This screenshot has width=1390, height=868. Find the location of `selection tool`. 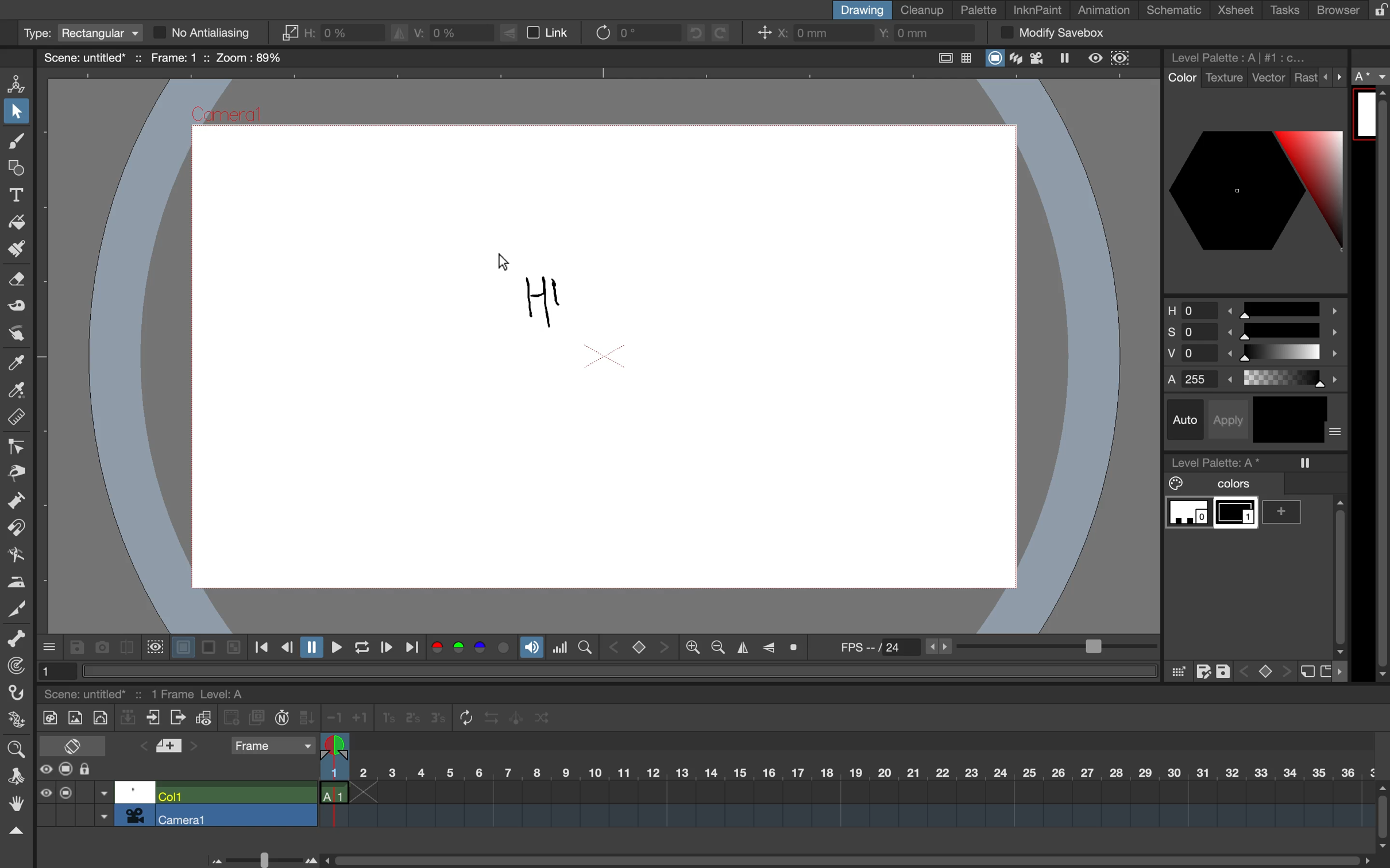

selection tool is located at coordinates (17, 114).